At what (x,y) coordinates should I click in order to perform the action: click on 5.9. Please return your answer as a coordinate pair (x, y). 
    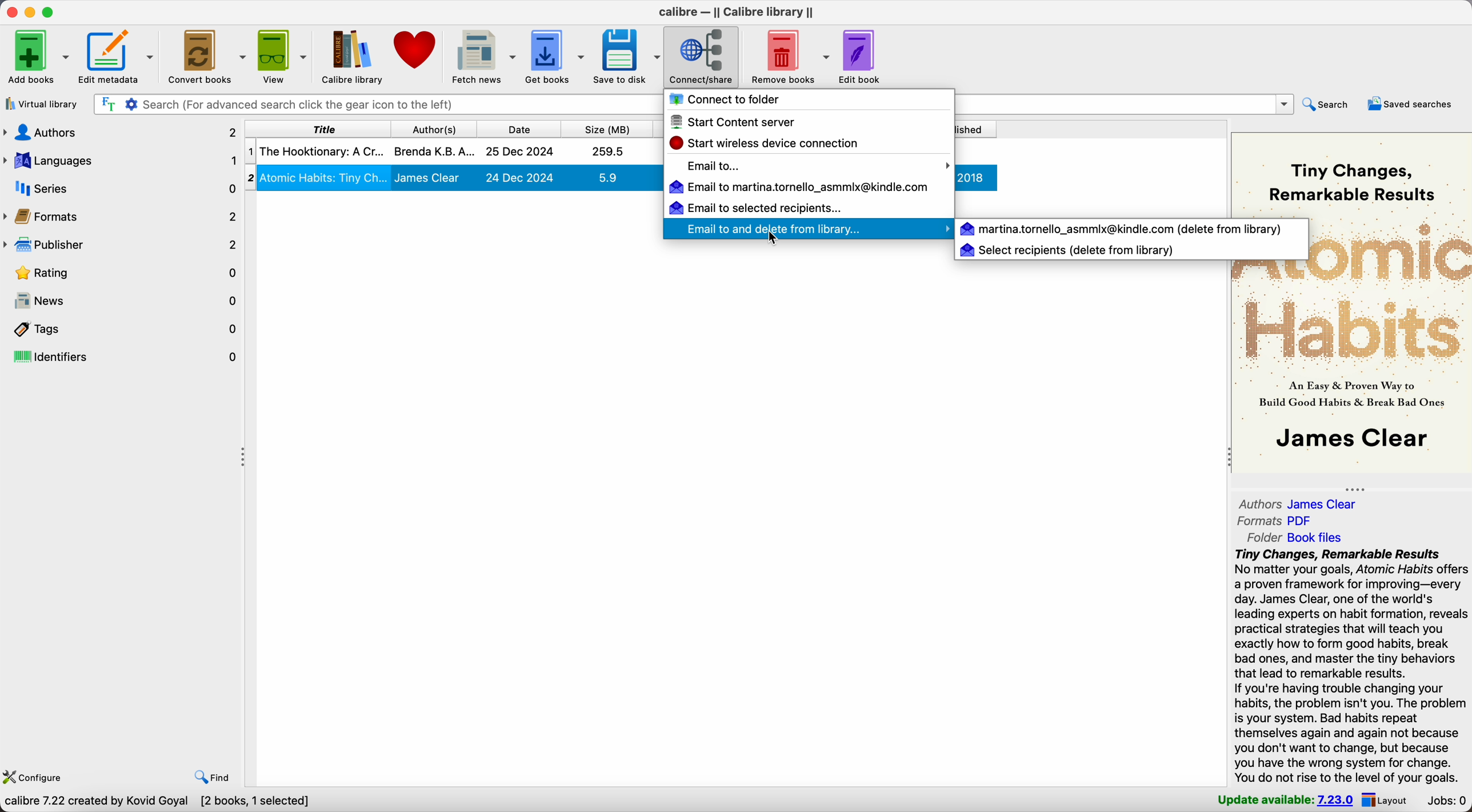
    Looking at the image, I should click on (607, 177).